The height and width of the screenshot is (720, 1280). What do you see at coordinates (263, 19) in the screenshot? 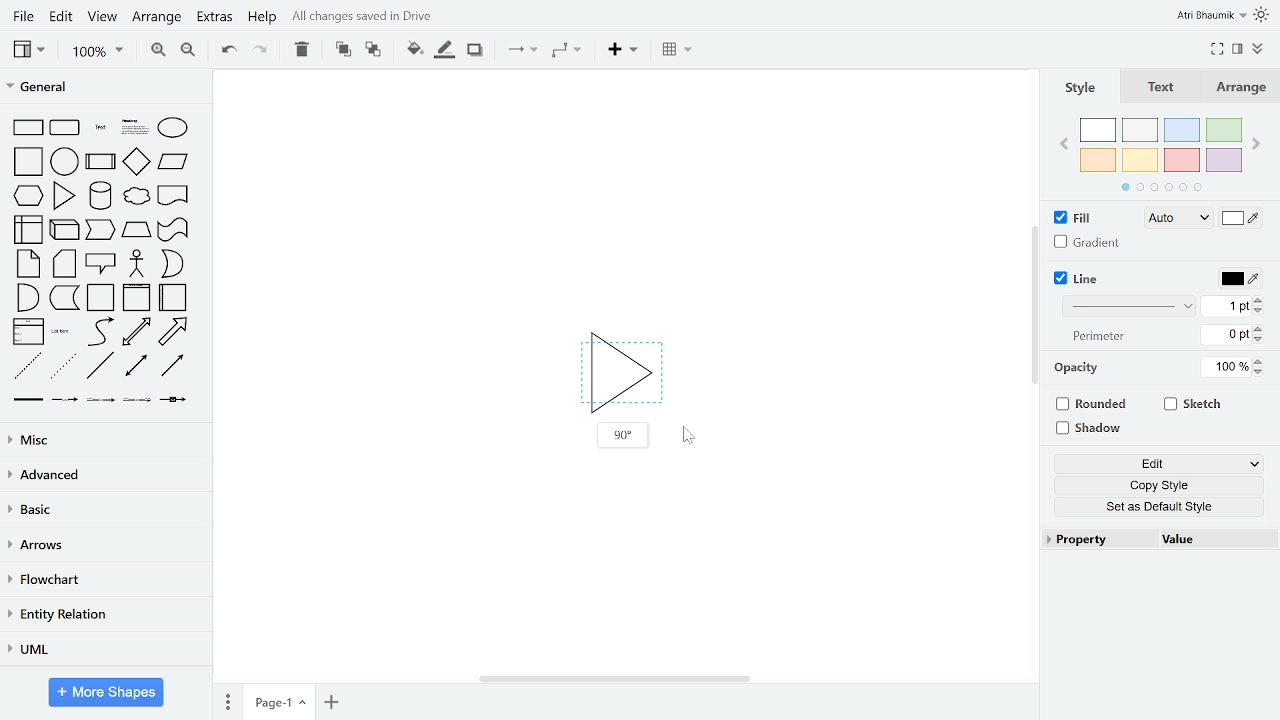
I see `help` at bounding box center [263, 19].